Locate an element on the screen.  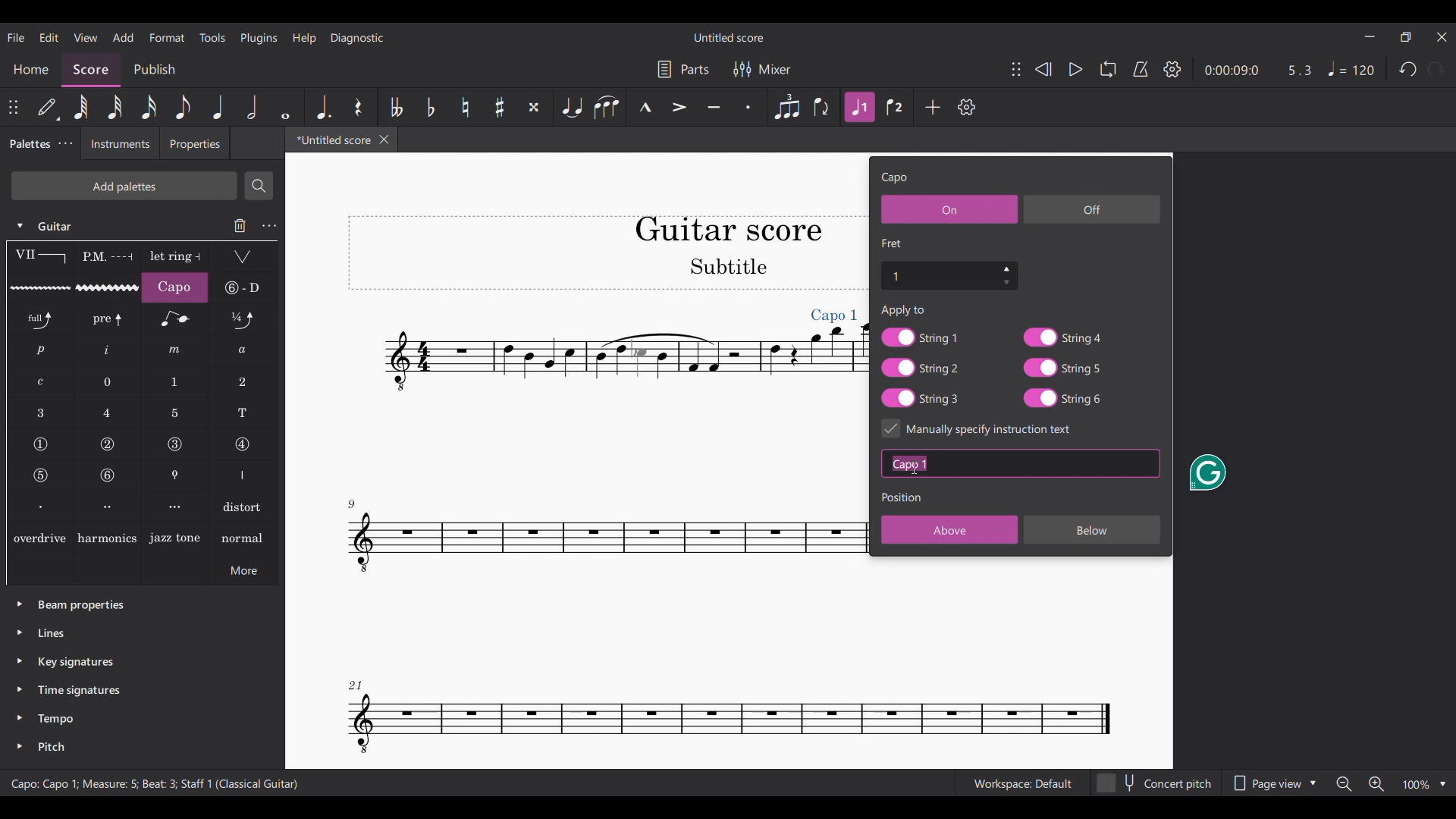
Rewind is located at coordinates (1043, 69).